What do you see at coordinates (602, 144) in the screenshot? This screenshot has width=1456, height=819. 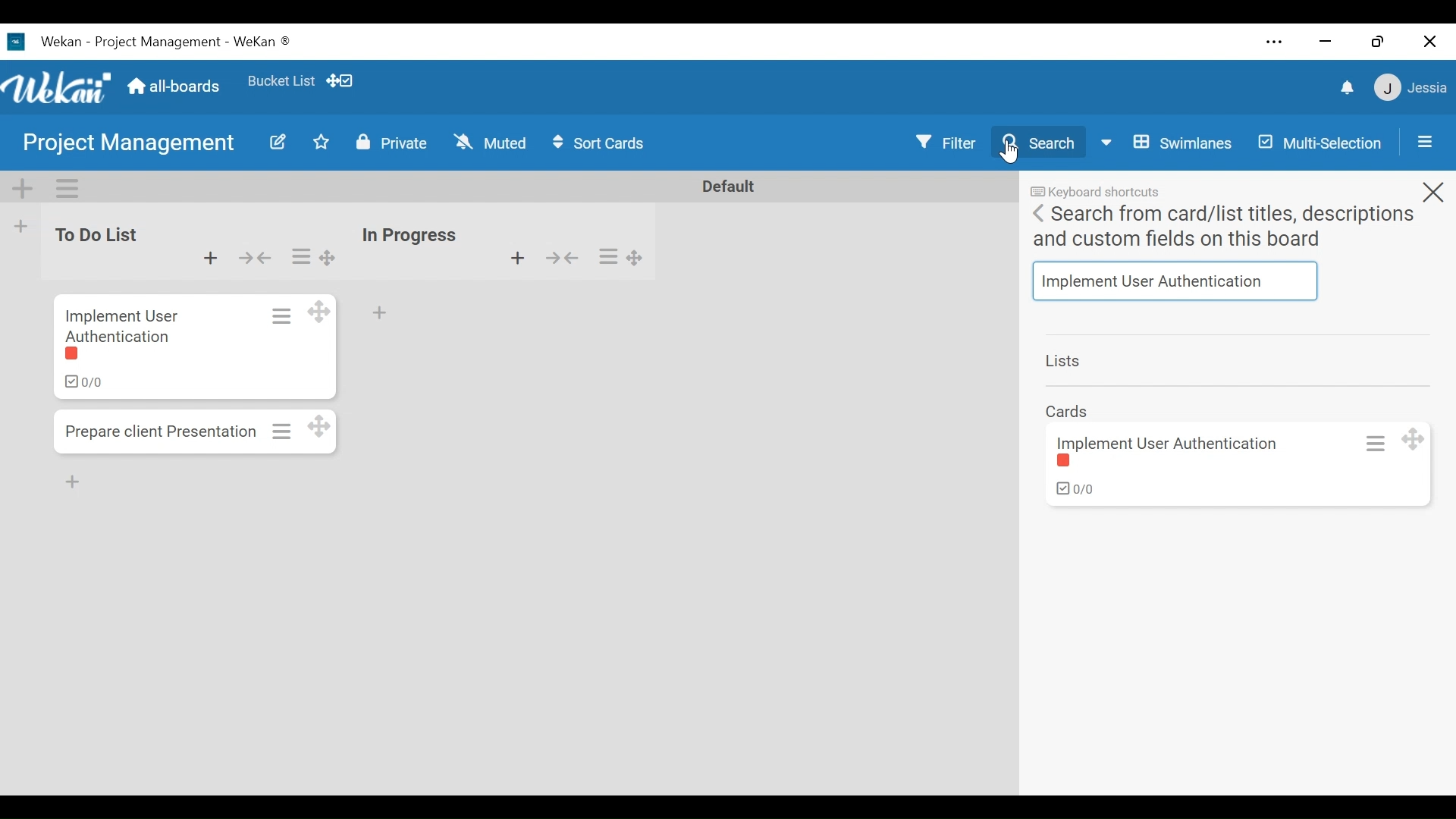 I see `Sort Icons` at bounding box center [602, 144].